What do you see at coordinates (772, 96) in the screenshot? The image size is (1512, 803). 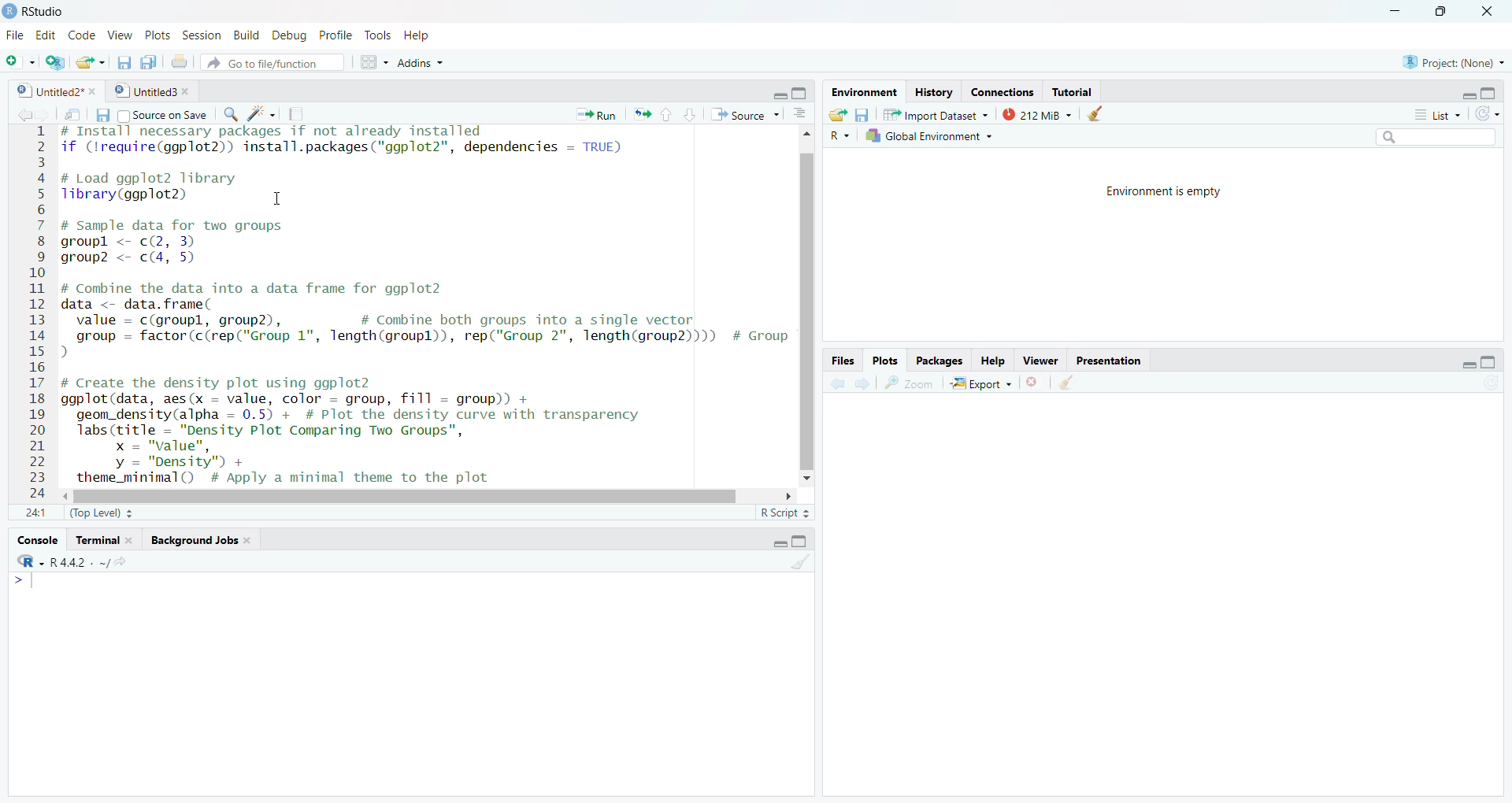 I see `minimize` at bounding box center [772, 96].